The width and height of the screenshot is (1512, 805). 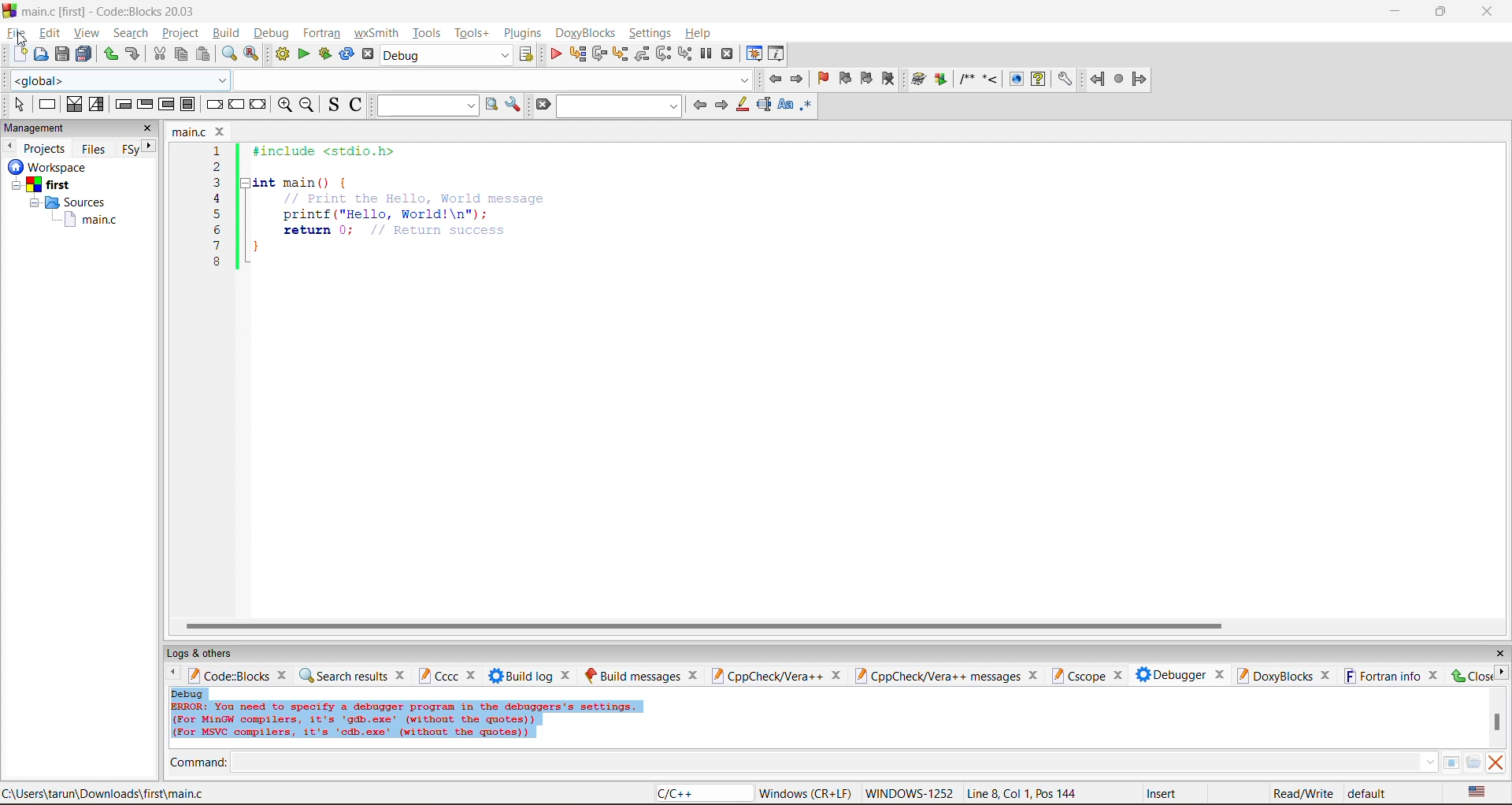 What do you see at coordinates (259, 106) in the screenshot?
I see `return instruction` at bounding box center [259, 106].